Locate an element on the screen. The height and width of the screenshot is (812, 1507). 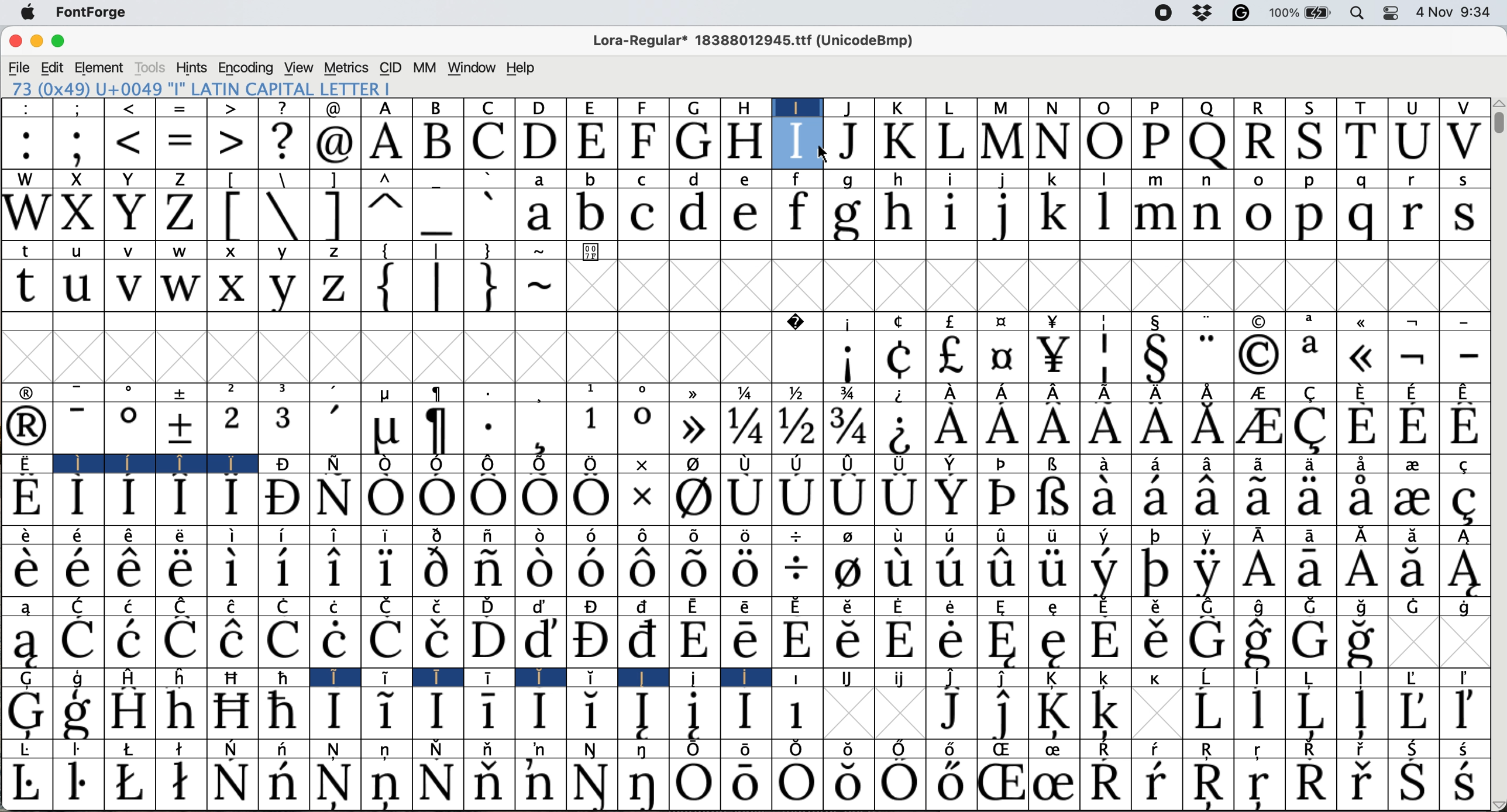
Symbol is located at coordinates (78, 783).